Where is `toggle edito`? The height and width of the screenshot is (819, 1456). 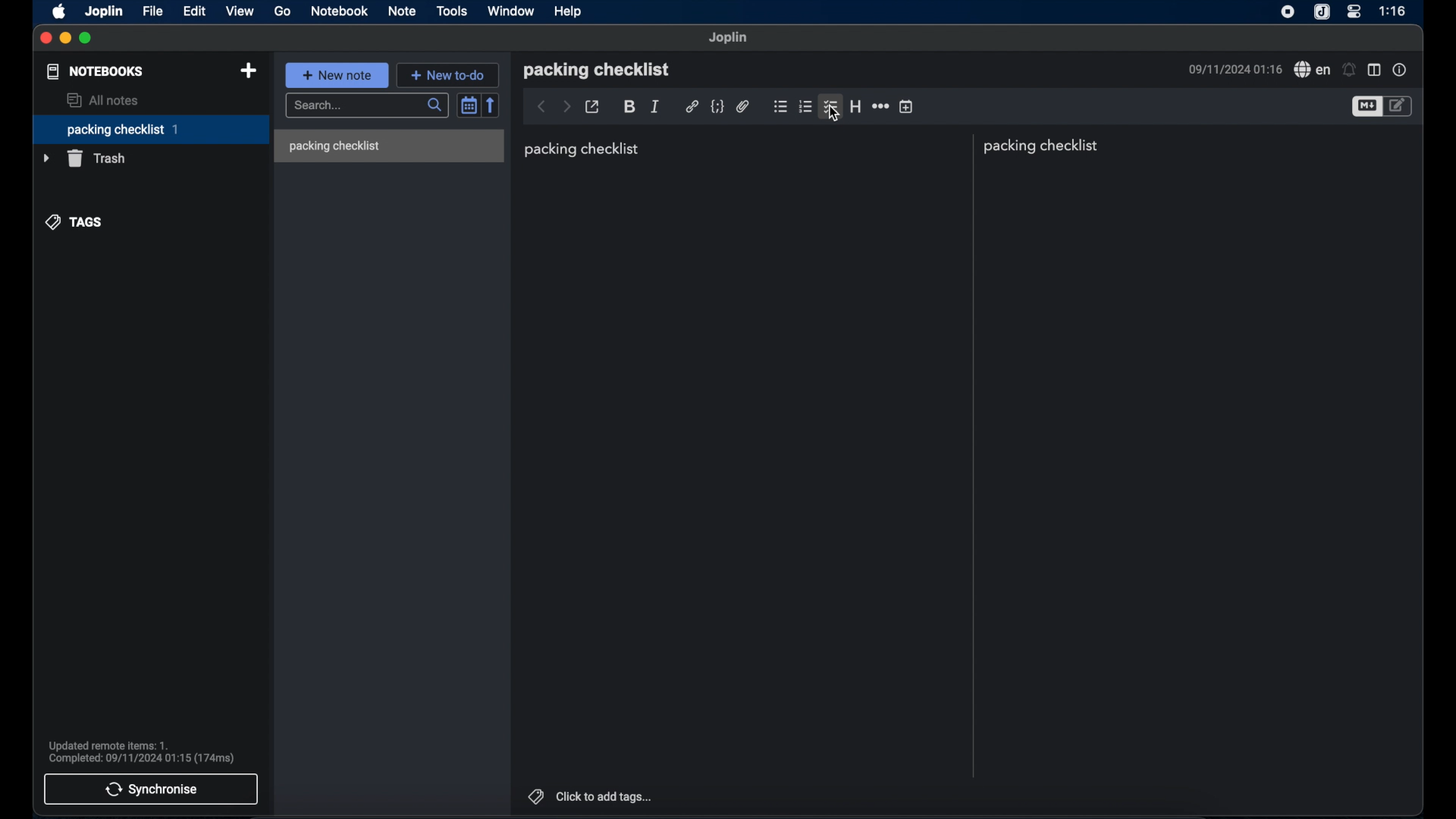
toggle edito is located at coordinates (1399, 107).